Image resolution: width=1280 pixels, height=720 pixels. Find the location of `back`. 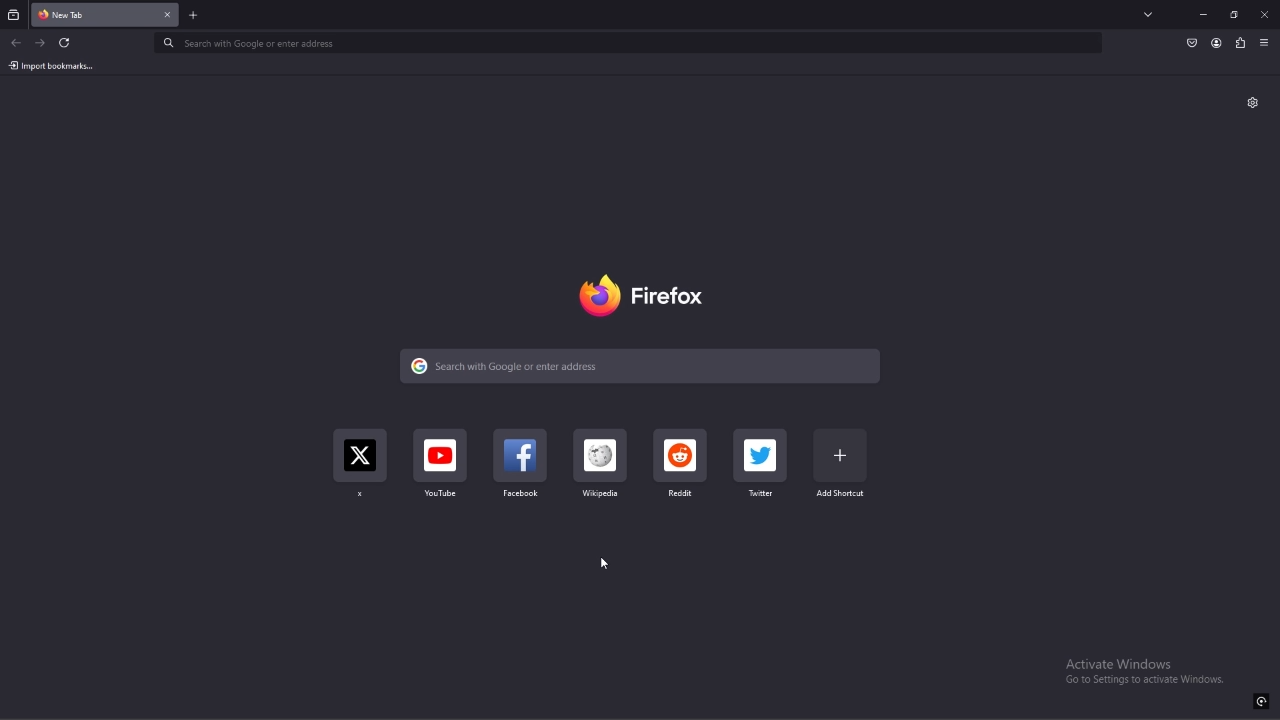

back is located at coordinates (17, 41).